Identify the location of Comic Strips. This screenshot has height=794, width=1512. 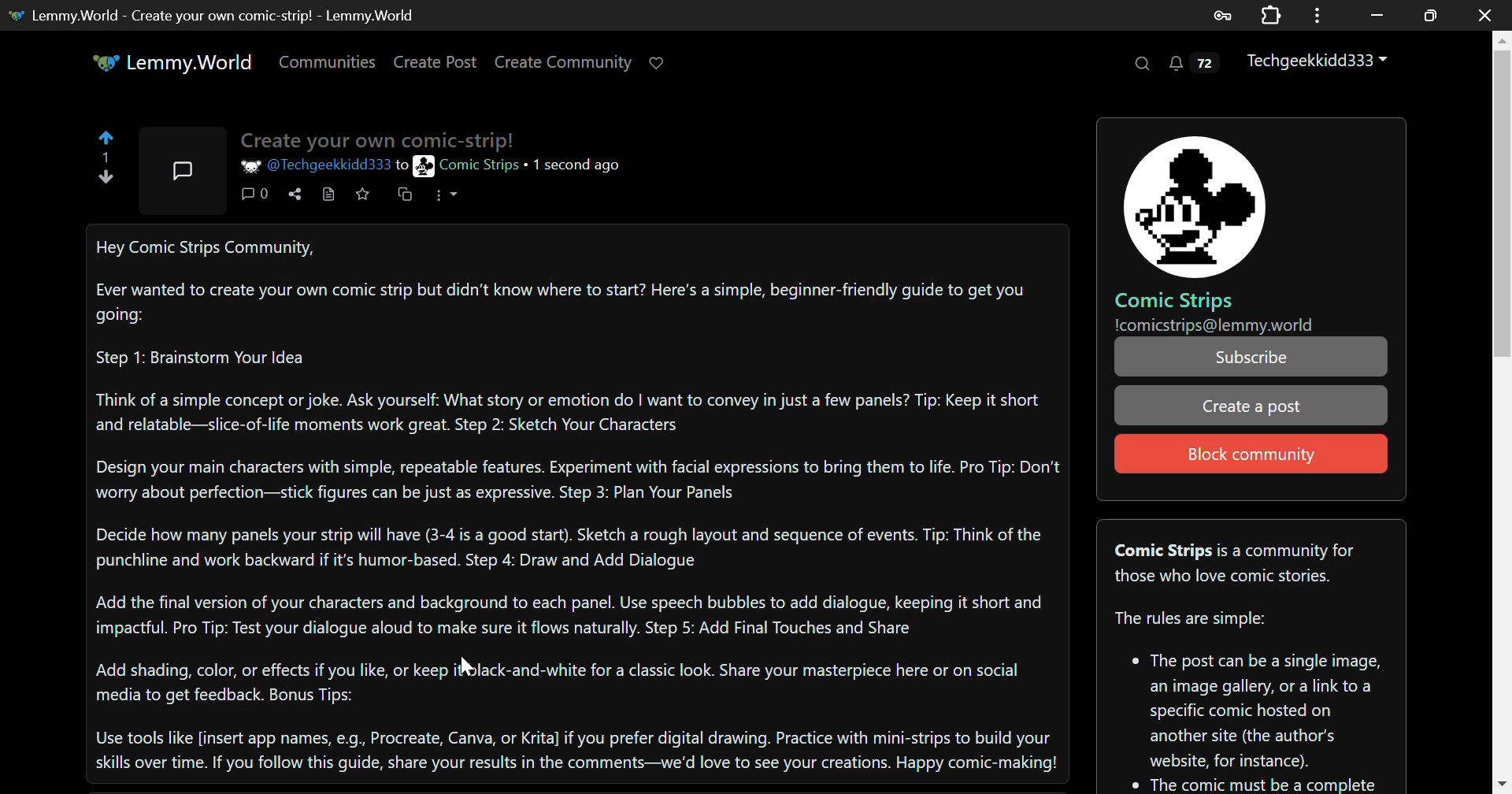
(1176, 301).